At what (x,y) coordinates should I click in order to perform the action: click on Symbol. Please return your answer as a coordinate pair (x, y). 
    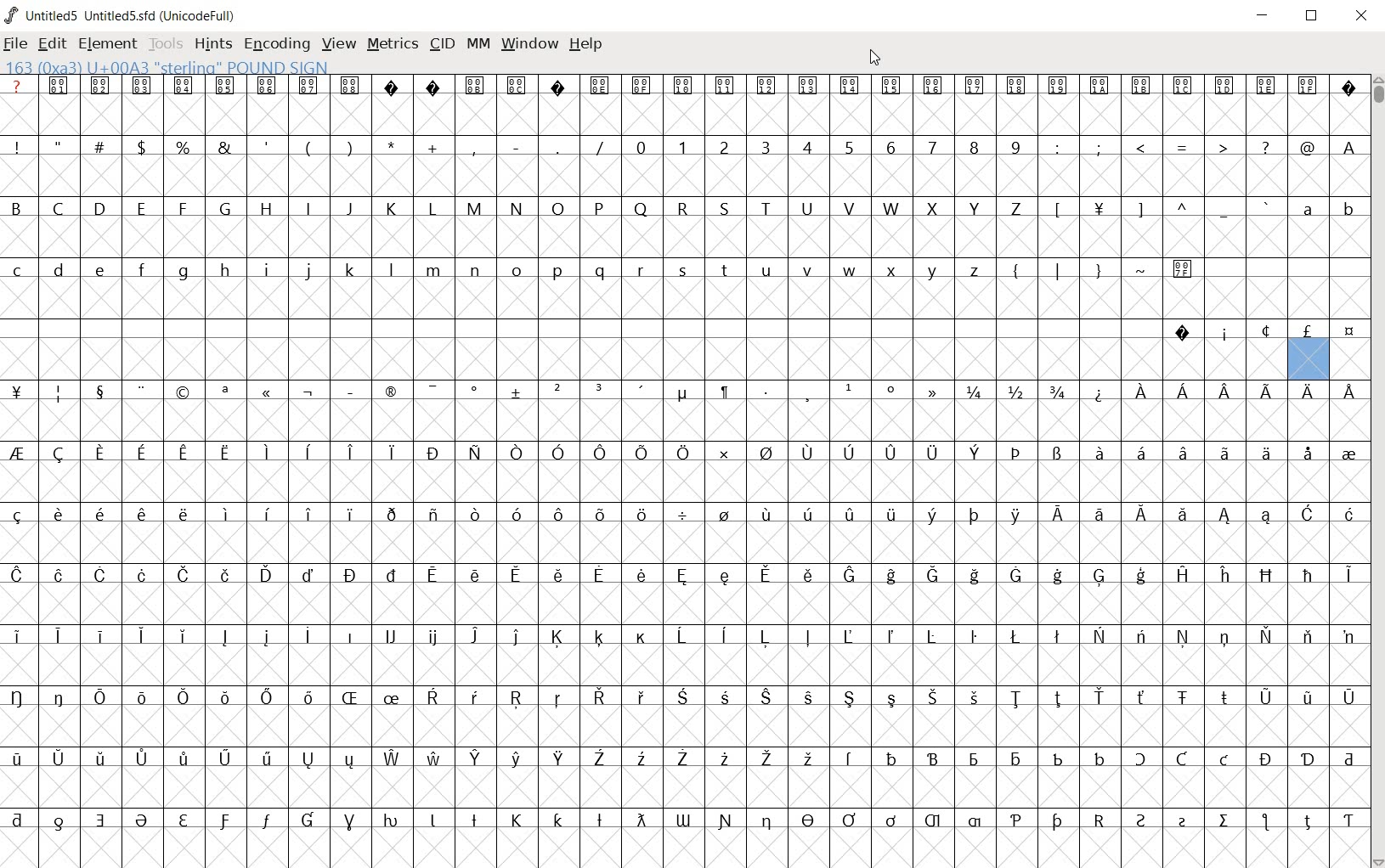
    Looking at the image, I should click on (140, 635).